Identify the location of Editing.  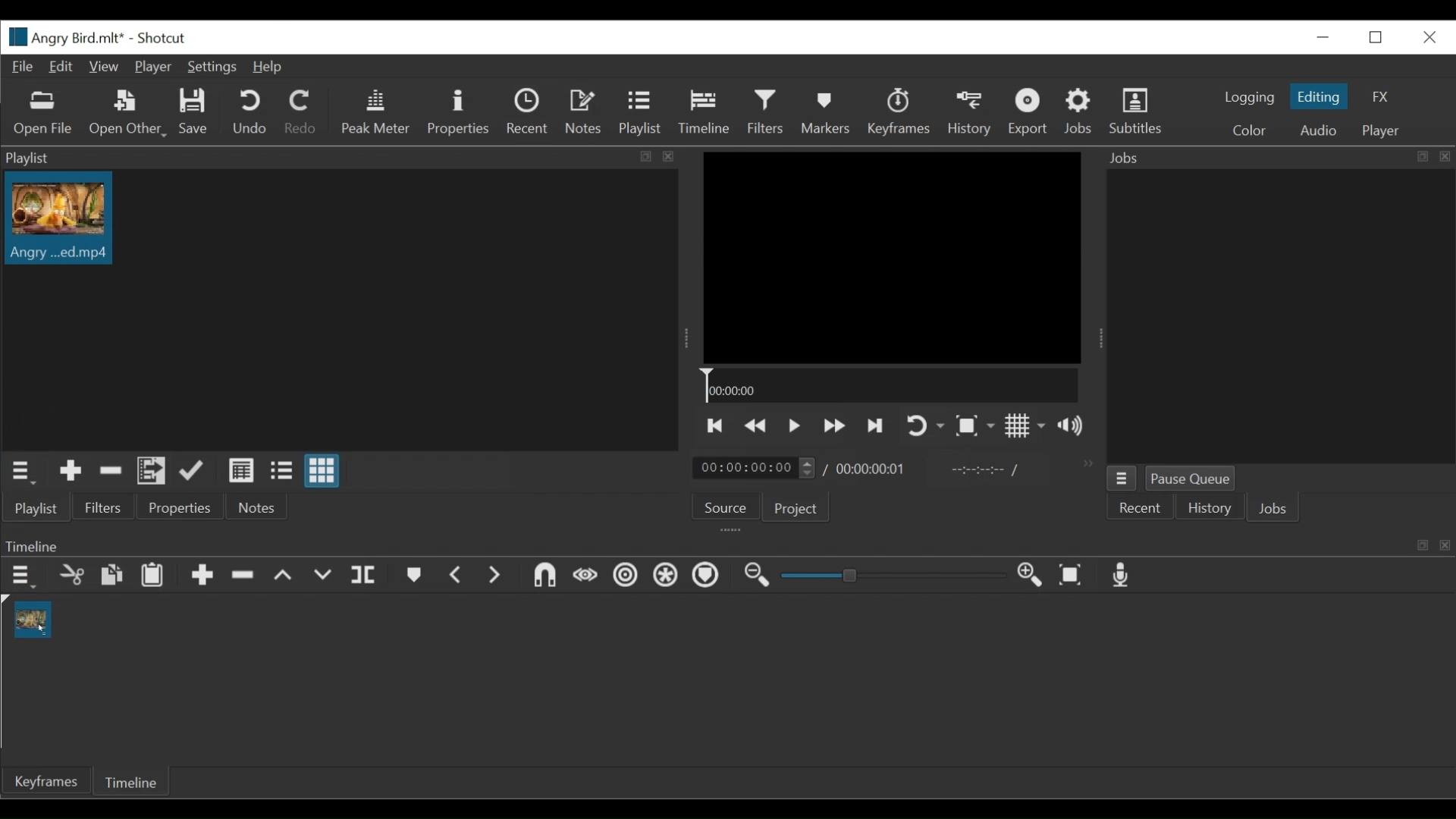
(1321, 96).